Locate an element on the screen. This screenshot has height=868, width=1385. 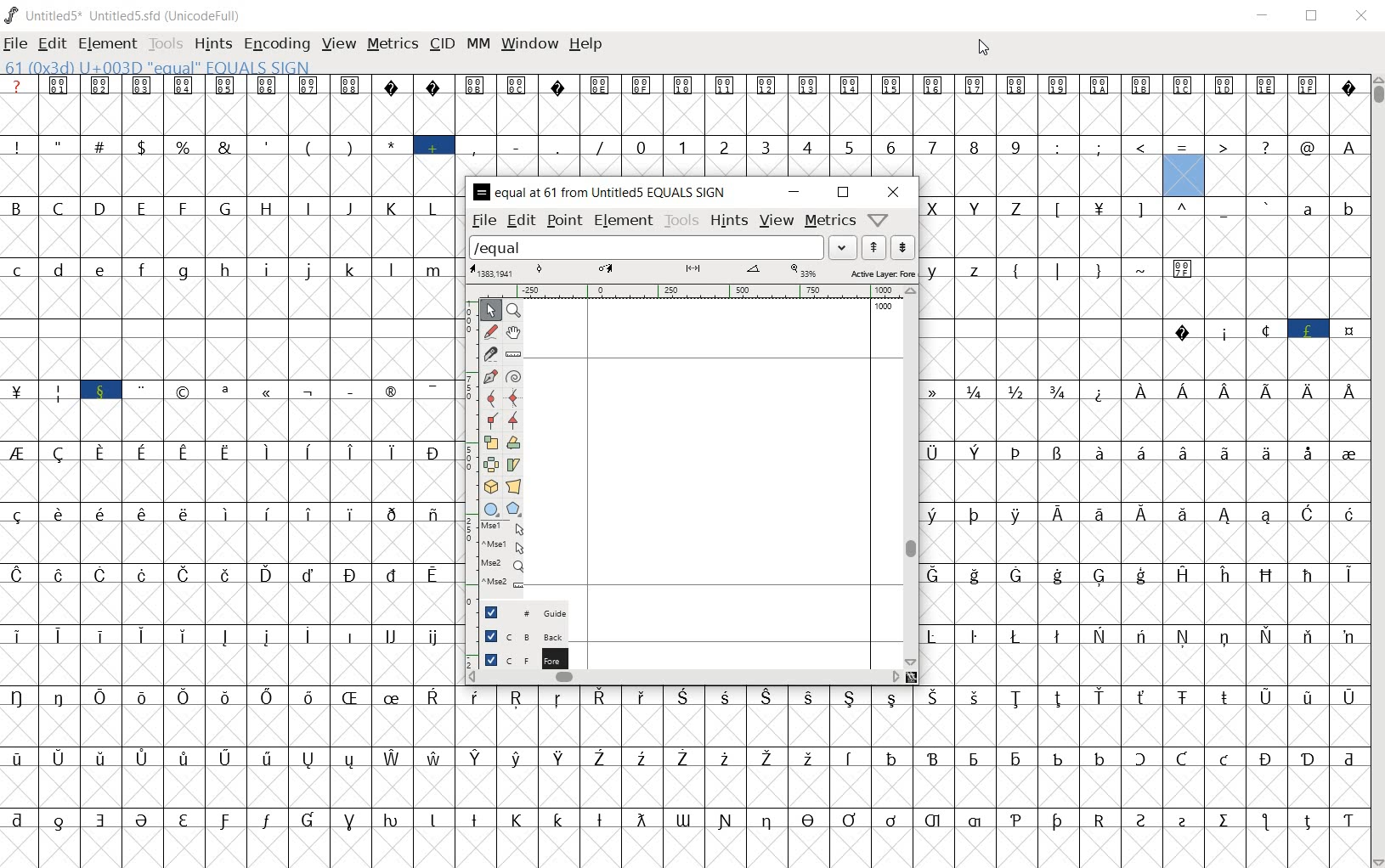
restore down is located at coordinates (1310, 17).